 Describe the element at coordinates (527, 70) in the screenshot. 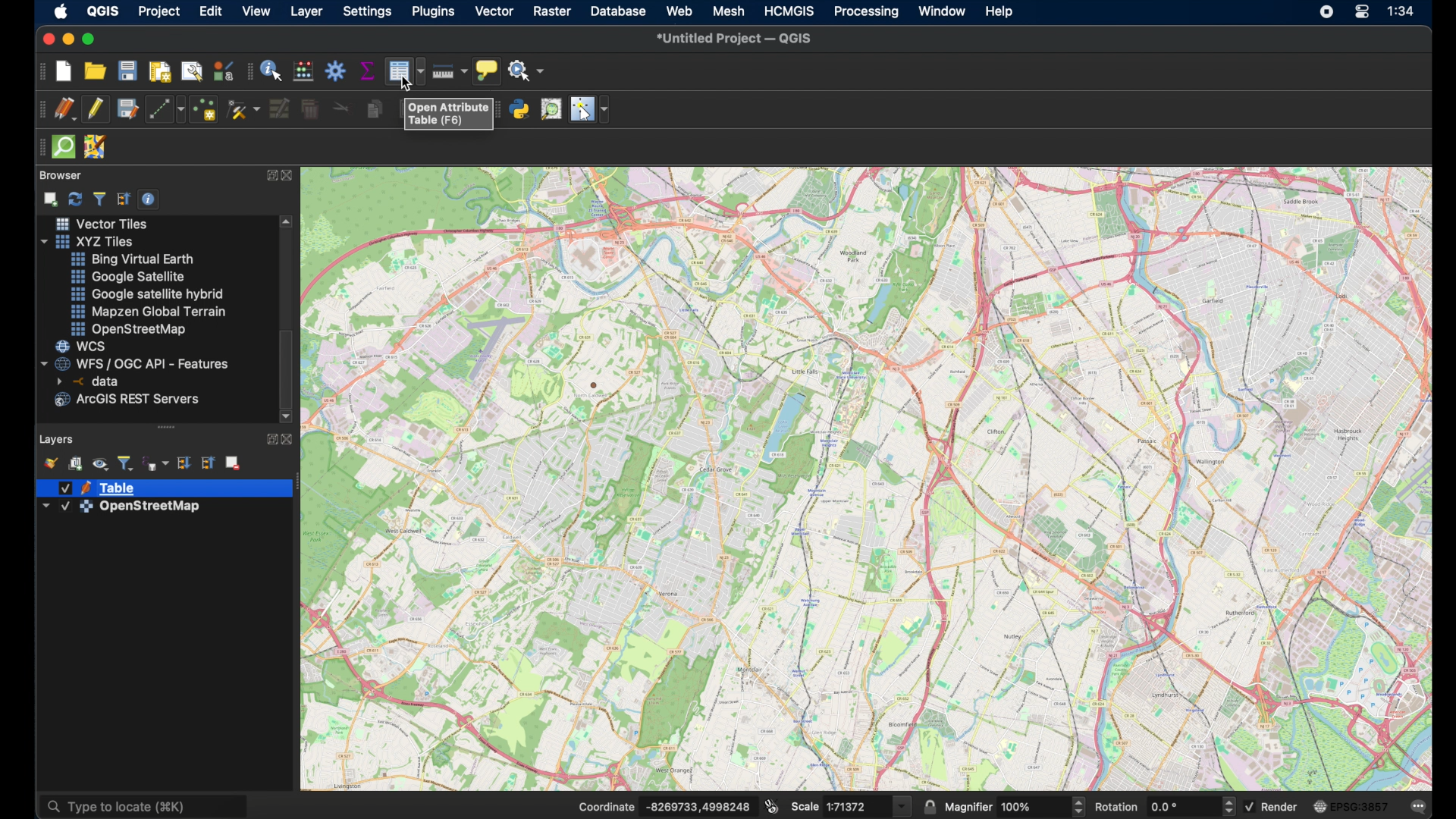

I see `no action selected` at that location.